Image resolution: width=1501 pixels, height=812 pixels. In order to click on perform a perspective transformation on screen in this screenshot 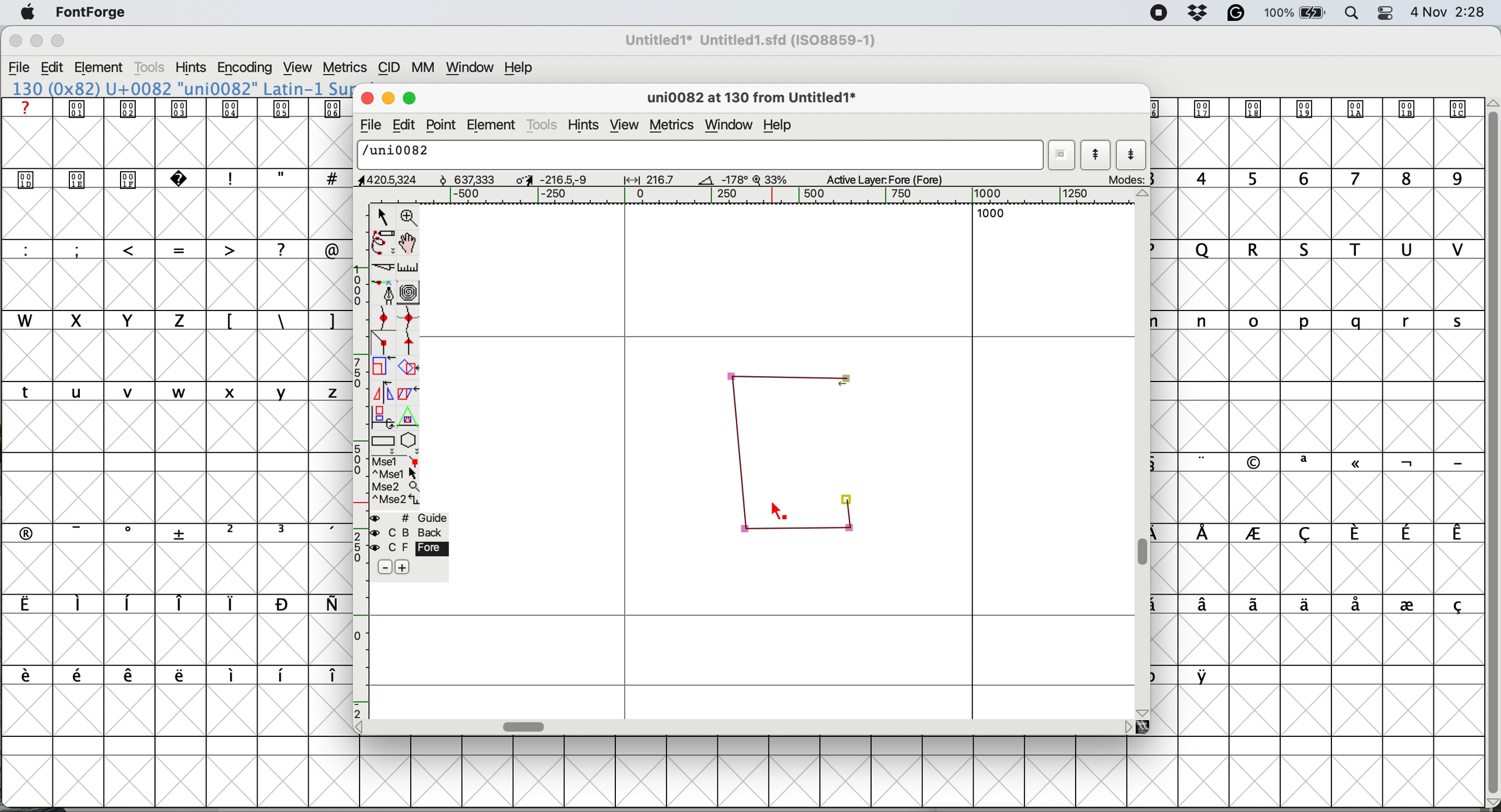, I will do `click(410, 417)`.